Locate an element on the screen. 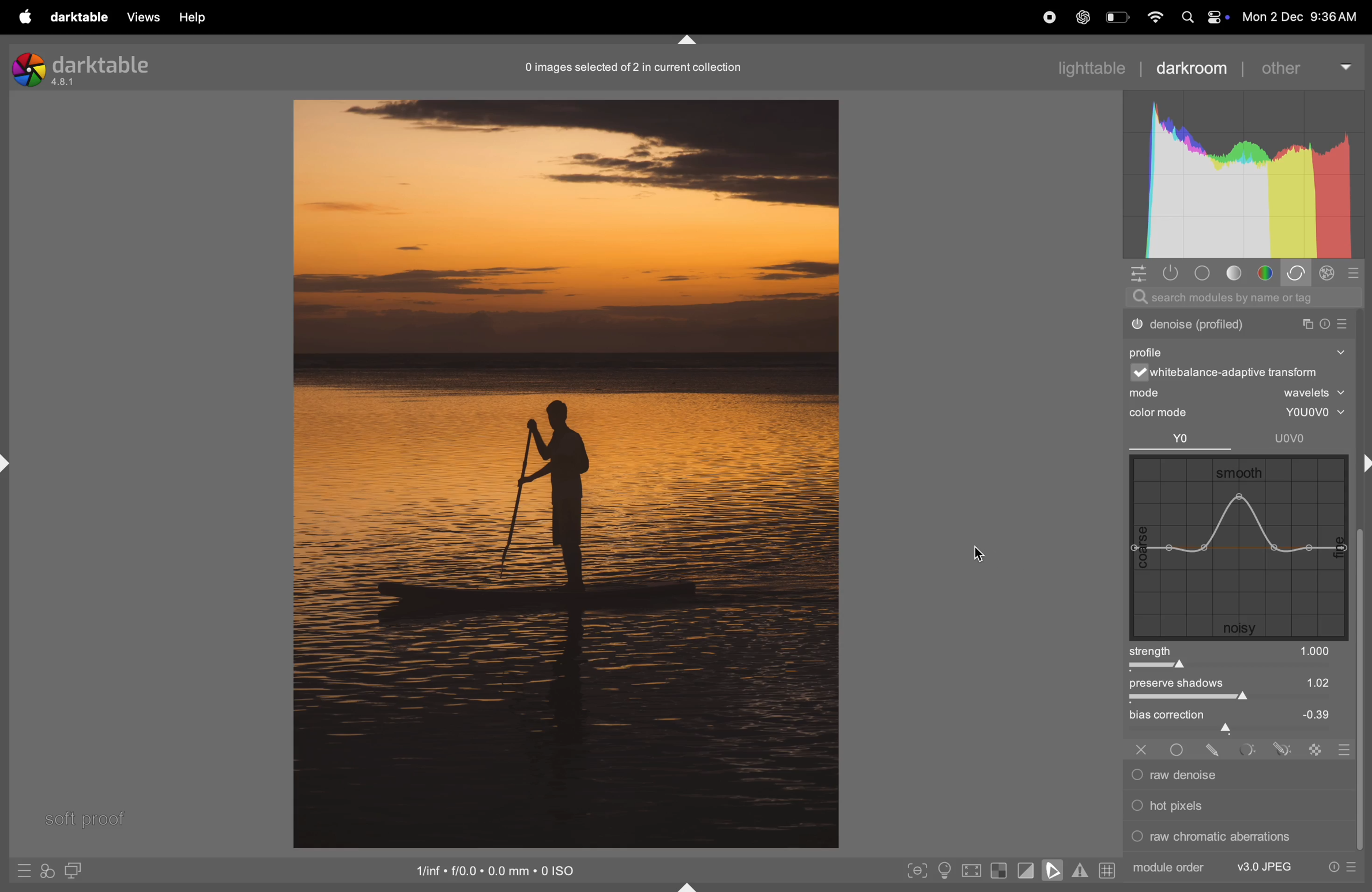 This screenshot has width=1372, height=892. base is located at coordinates (1201, 273).